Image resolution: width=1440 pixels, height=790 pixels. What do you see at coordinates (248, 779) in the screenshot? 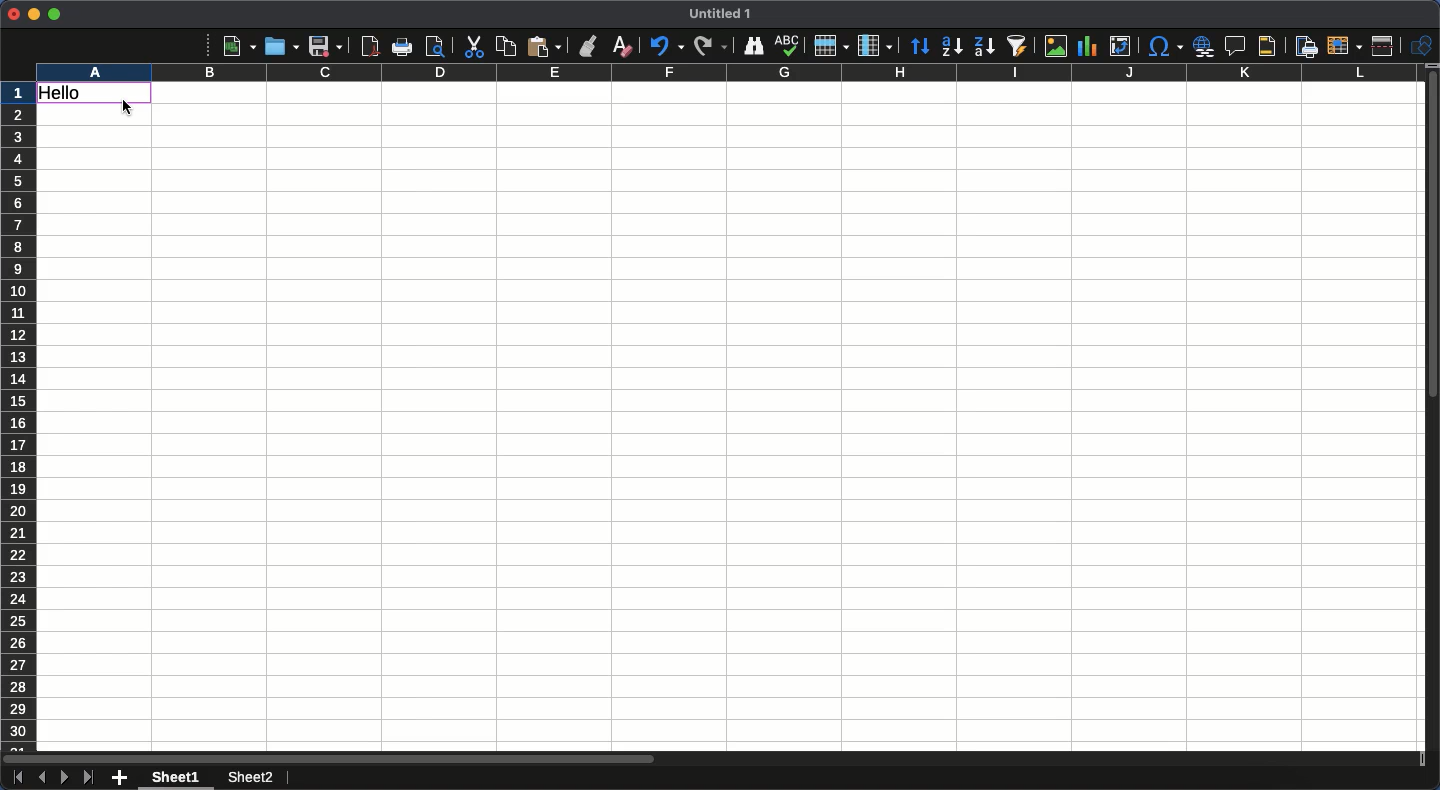
I see `Sheet 2` at bounding box center [248, 779].